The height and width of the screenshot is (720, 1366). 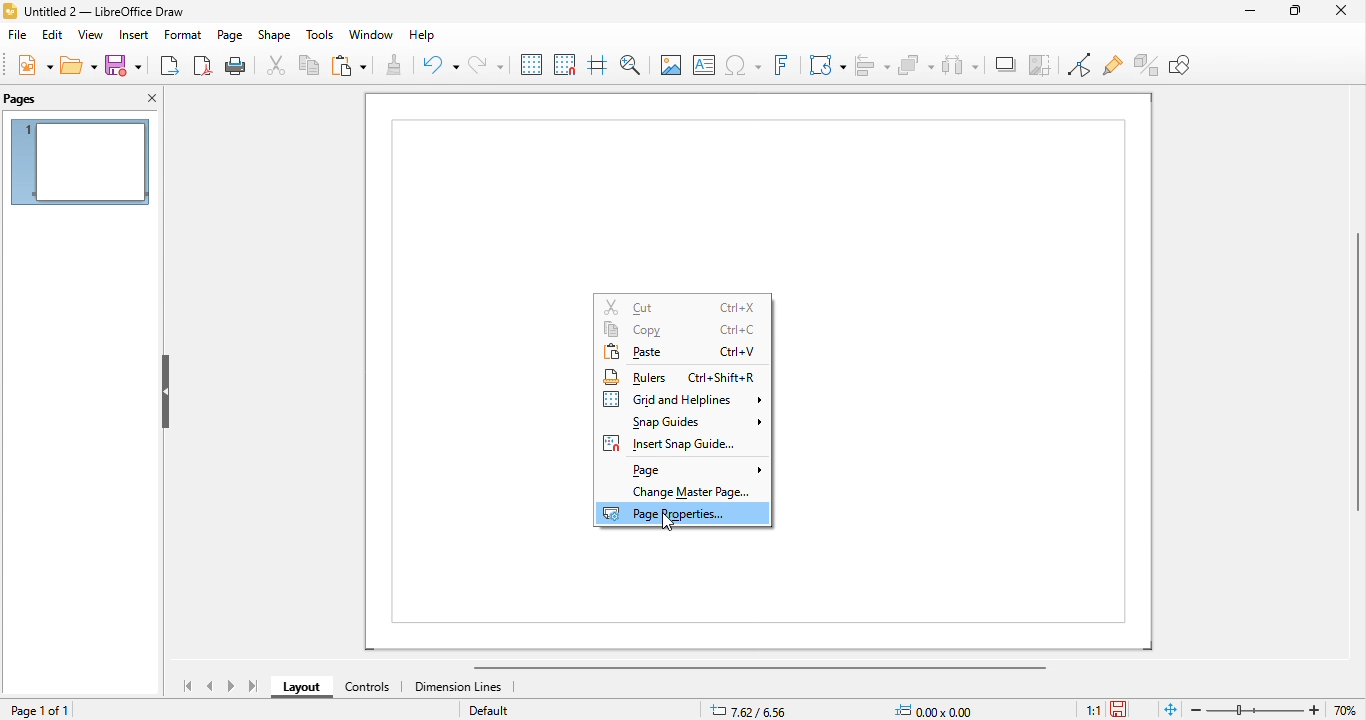 I want to click on snap to grid, so click(x=564, y=64).